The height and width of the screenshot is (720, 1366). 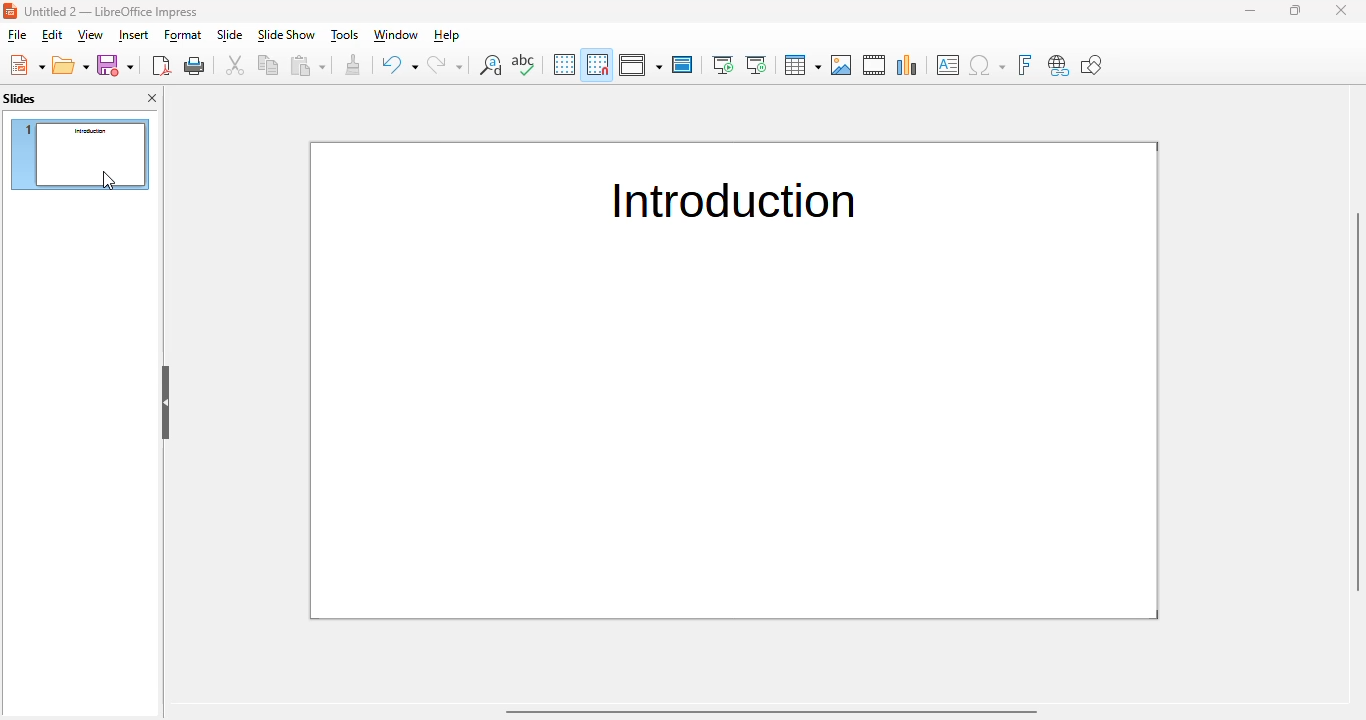 What do you see at coordinates (491, 65) in the screenshot?
I see `find and replace` at bounding box center [491, 65].